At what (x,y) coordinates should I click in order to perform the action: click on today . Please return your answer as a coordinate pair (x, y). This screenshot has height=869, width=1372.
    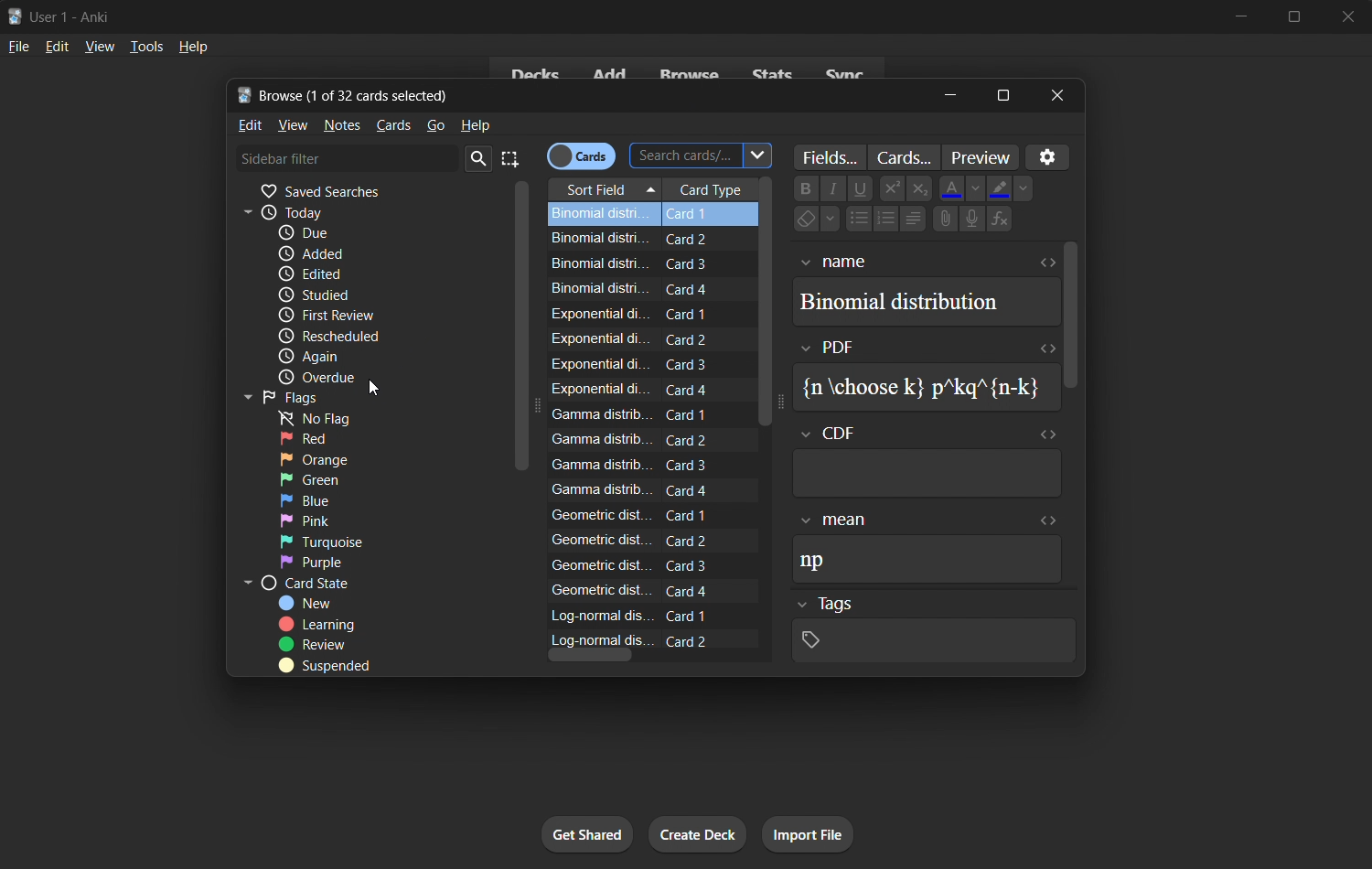
    Looking at the image, I should click on (367, 211).